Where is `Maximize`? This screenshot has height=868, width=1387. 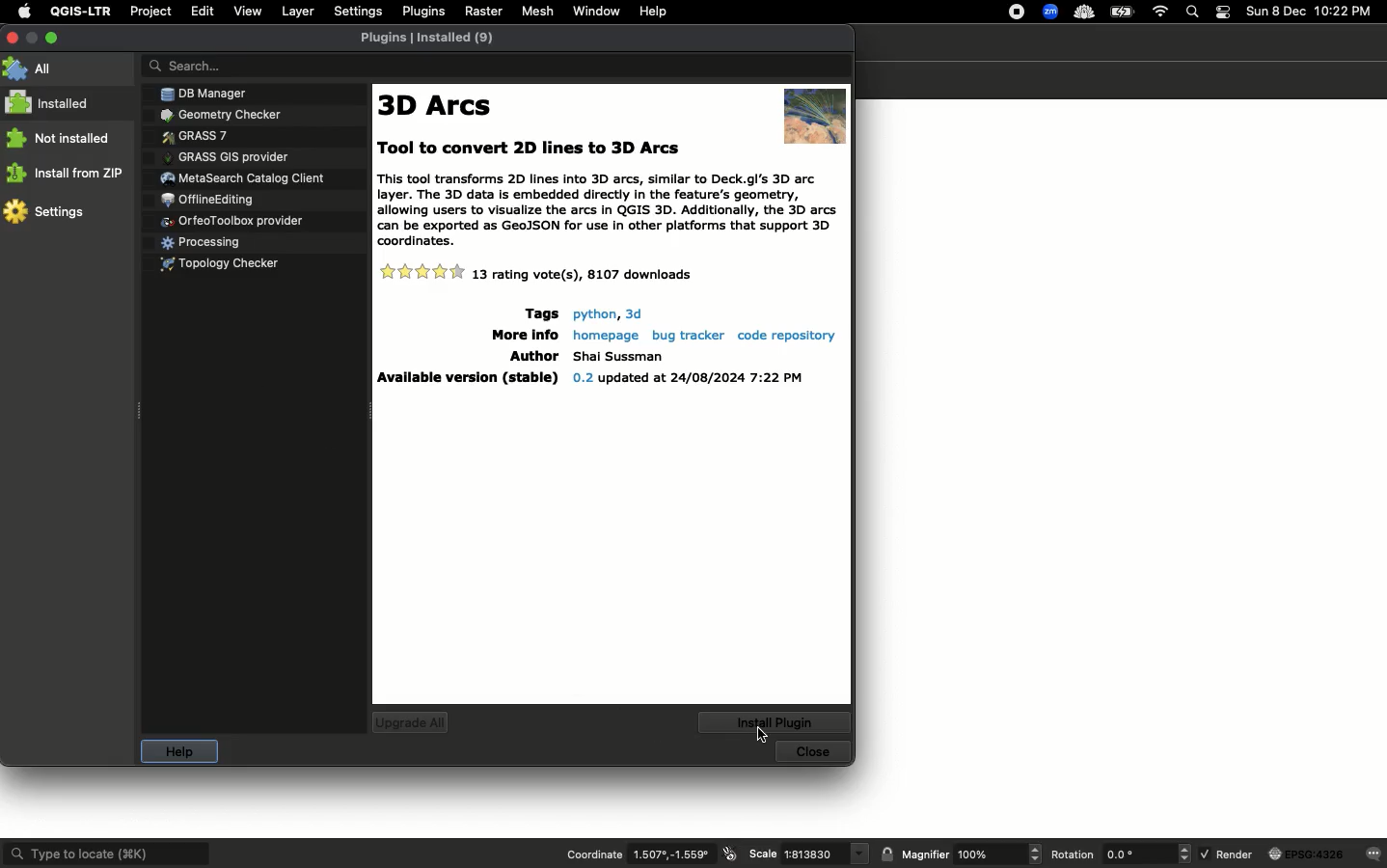
Maximize is located at coordinates (51, 38).